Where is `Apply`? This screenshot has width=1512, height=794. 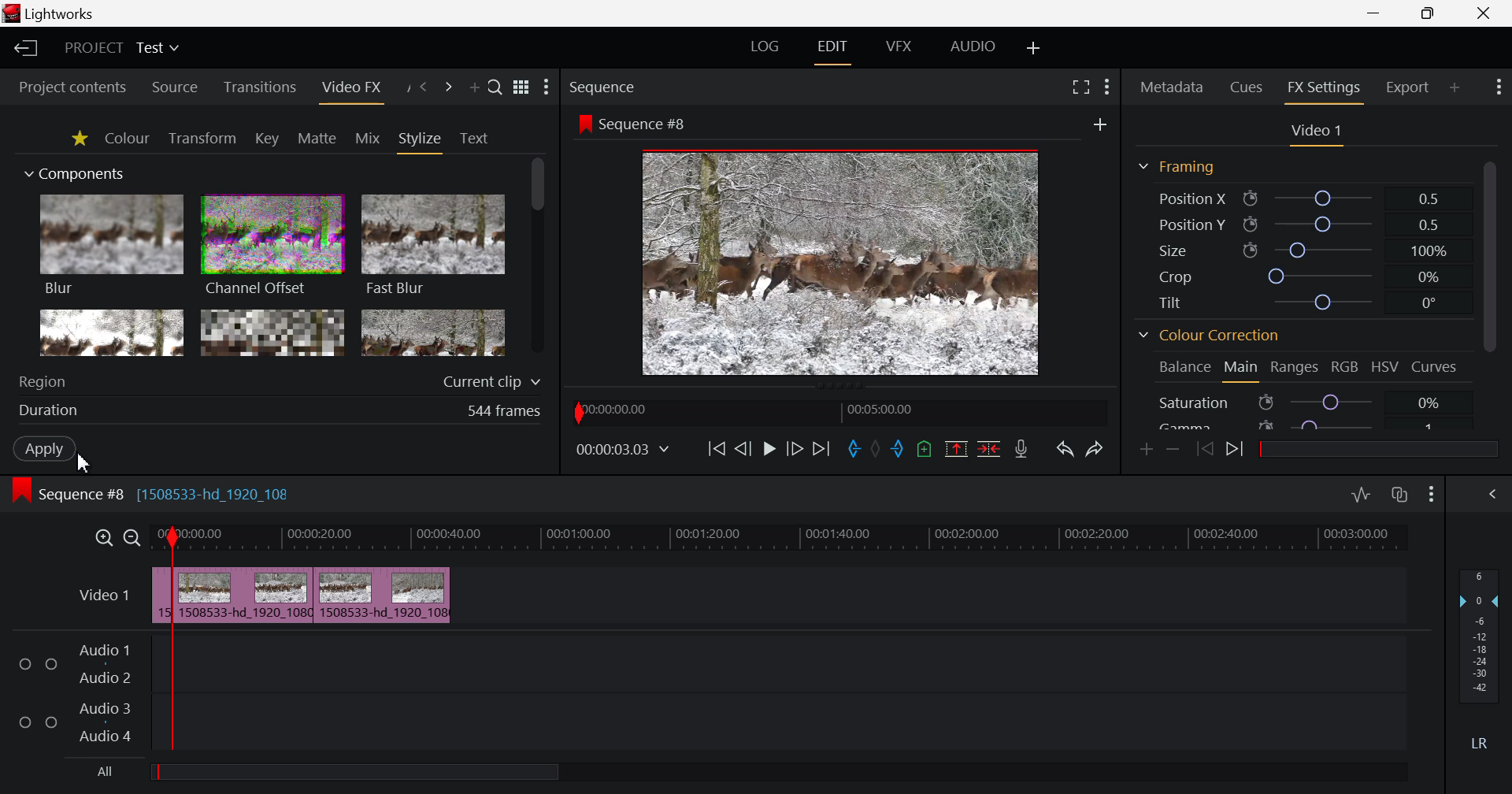 Apply is located at coordinates (44, 448).